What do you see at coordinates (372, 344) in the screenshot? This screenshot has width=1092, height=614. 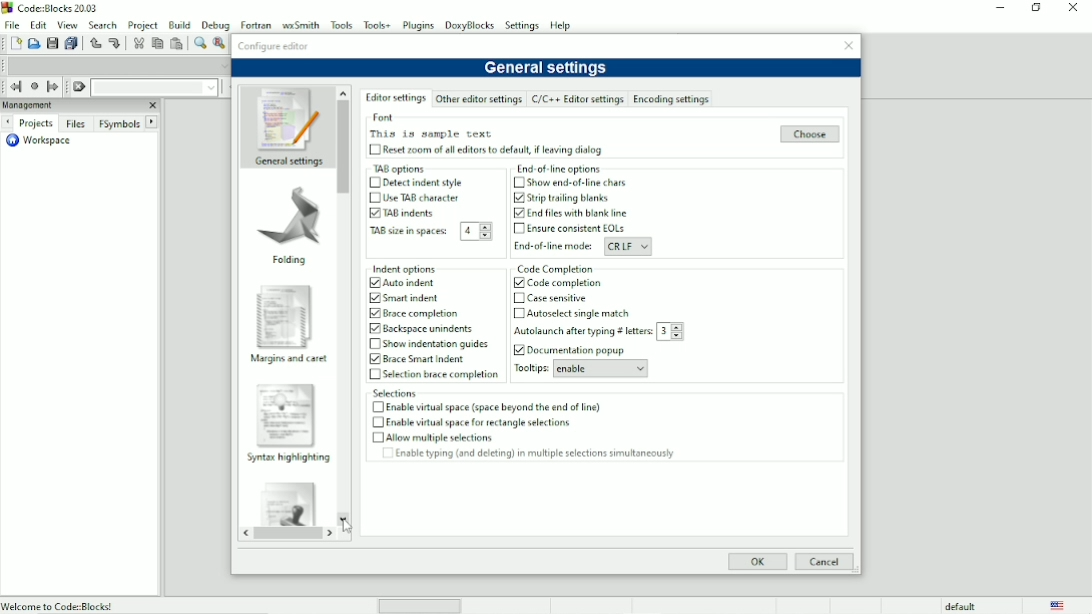 I see `` at bounding box center [372, 344].